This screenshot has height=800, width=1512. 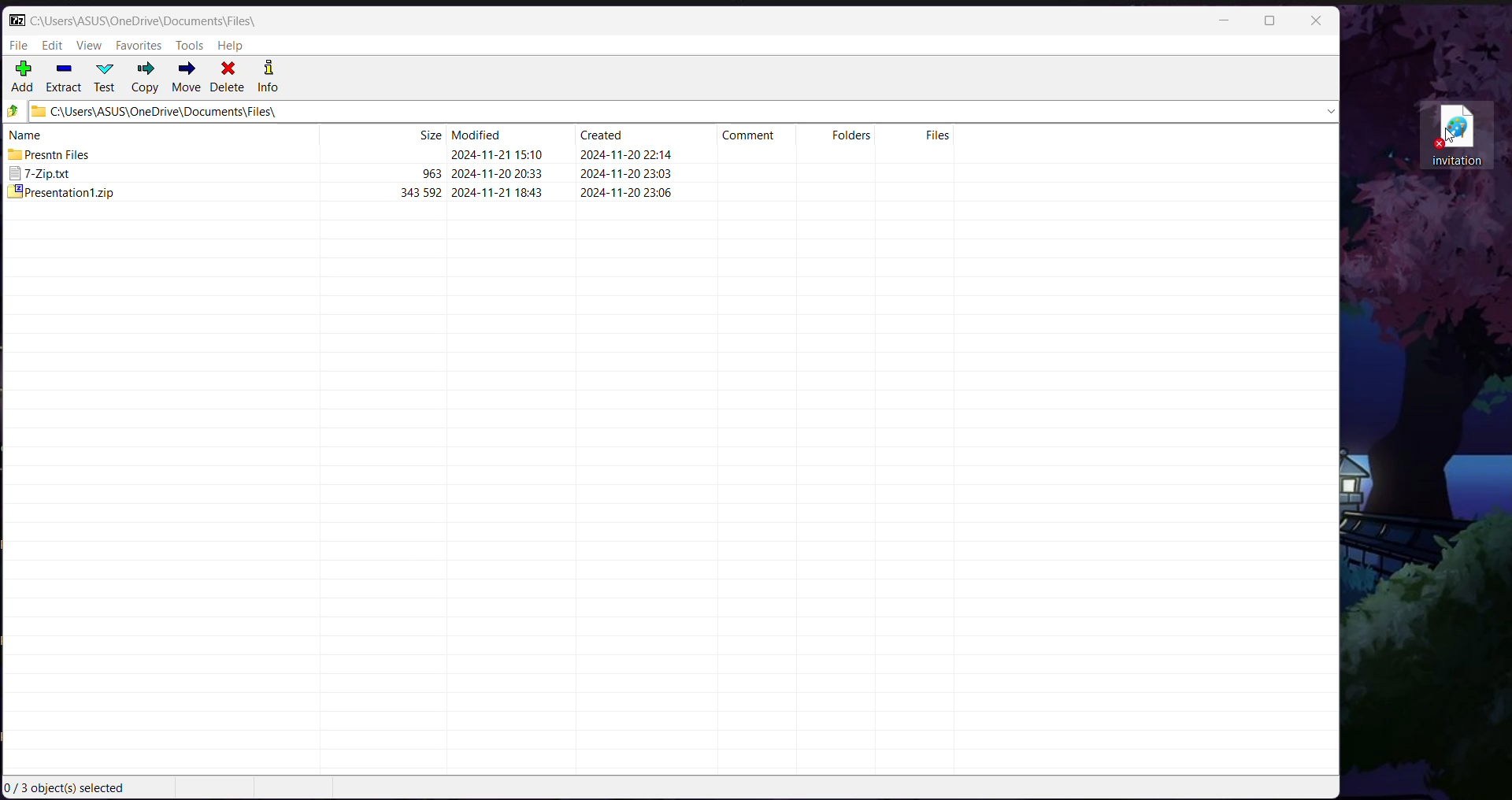 What do you see at coordinates (54, 45) in the screenshot?
I see `Edit` at bounding box center [54, 45].